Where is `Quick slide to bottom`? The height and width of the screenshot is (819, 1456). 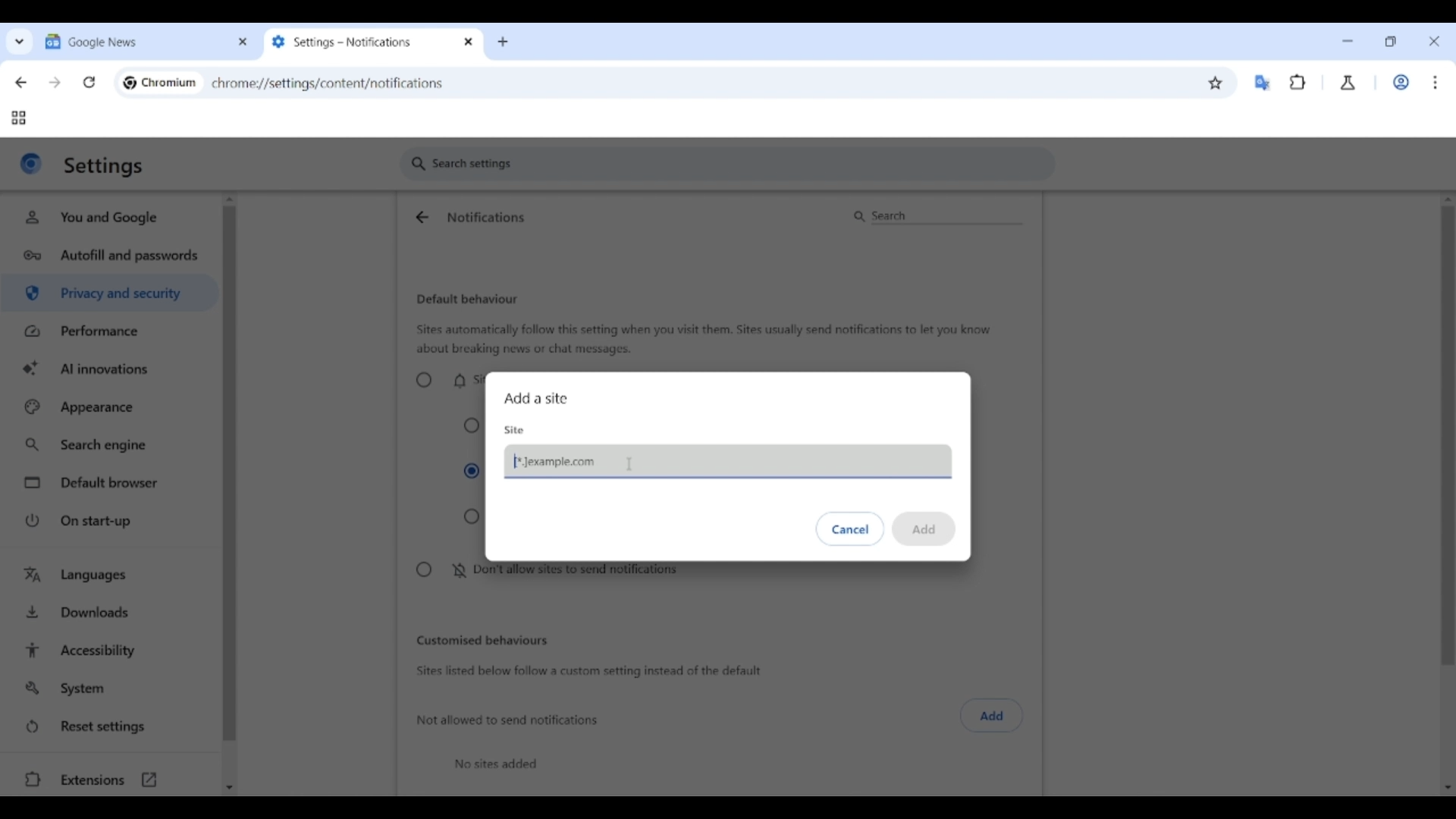
Quick slide to bottom is located at coordinates (229, 788).